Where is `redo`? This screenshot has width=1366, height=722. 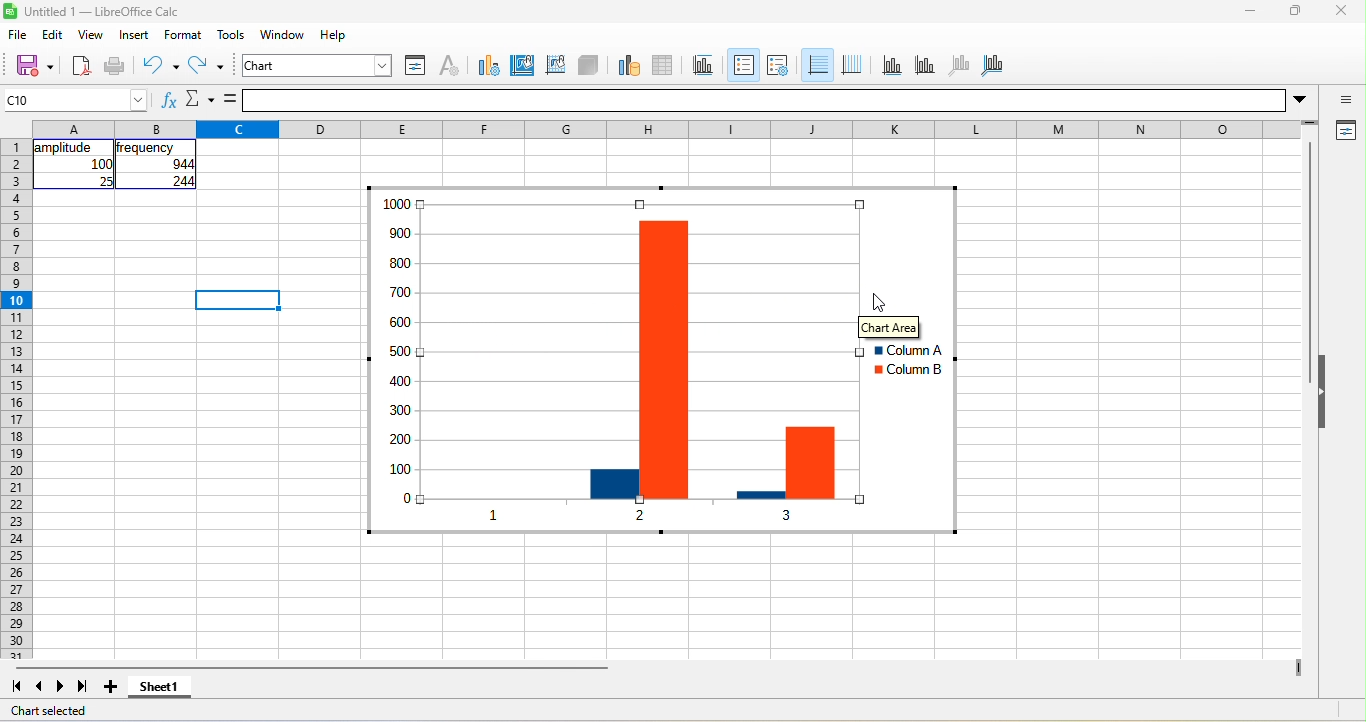 redo is located at coordinates (210, 68).